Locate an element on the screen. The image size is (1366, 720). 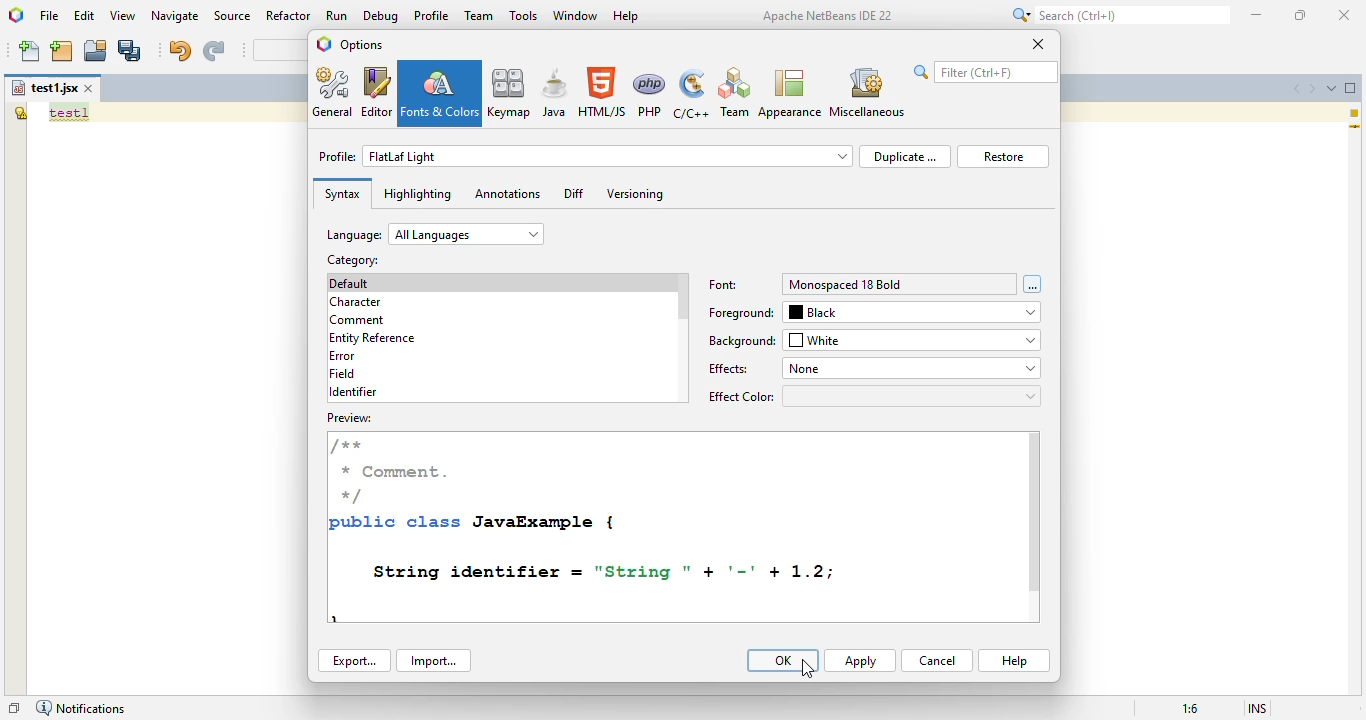
field is located at coordinates (343, 374).